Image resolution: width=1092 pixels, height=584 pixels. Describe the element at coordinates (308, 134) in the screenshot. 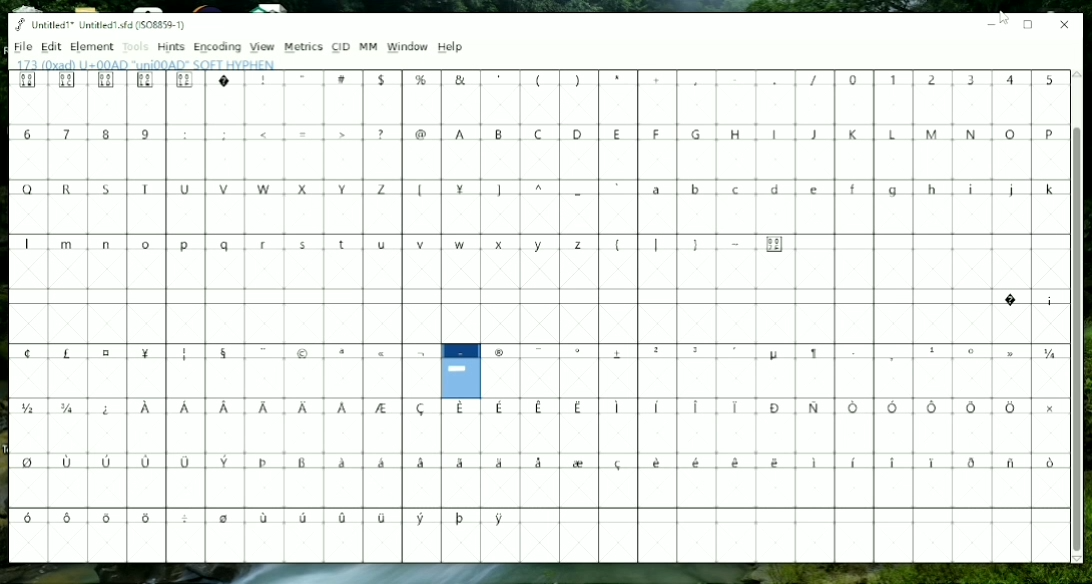

I see `Symbols` at that location.